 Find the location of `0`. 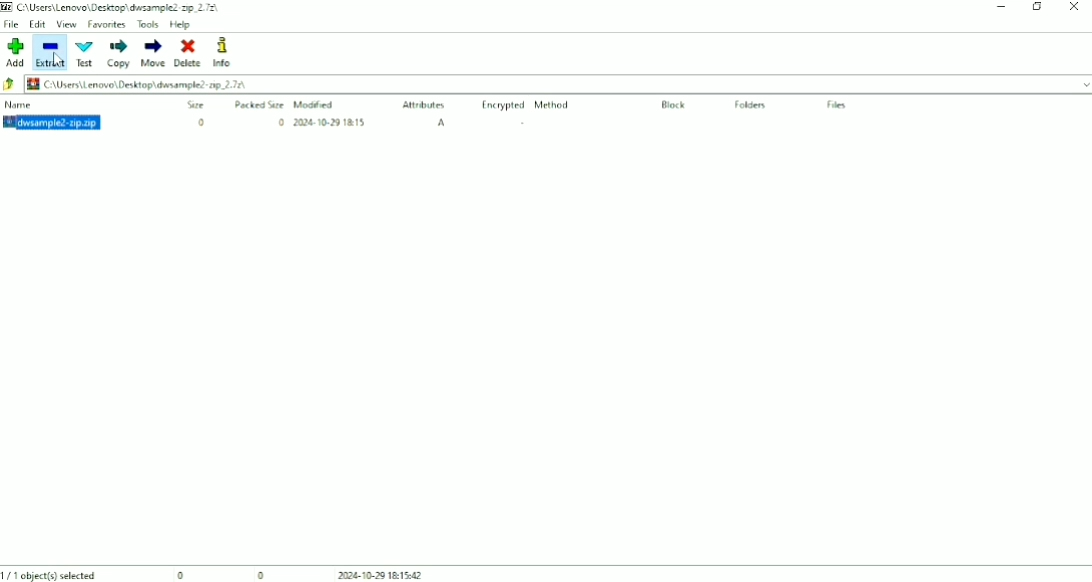

0 is located at coordinates (199, 122).